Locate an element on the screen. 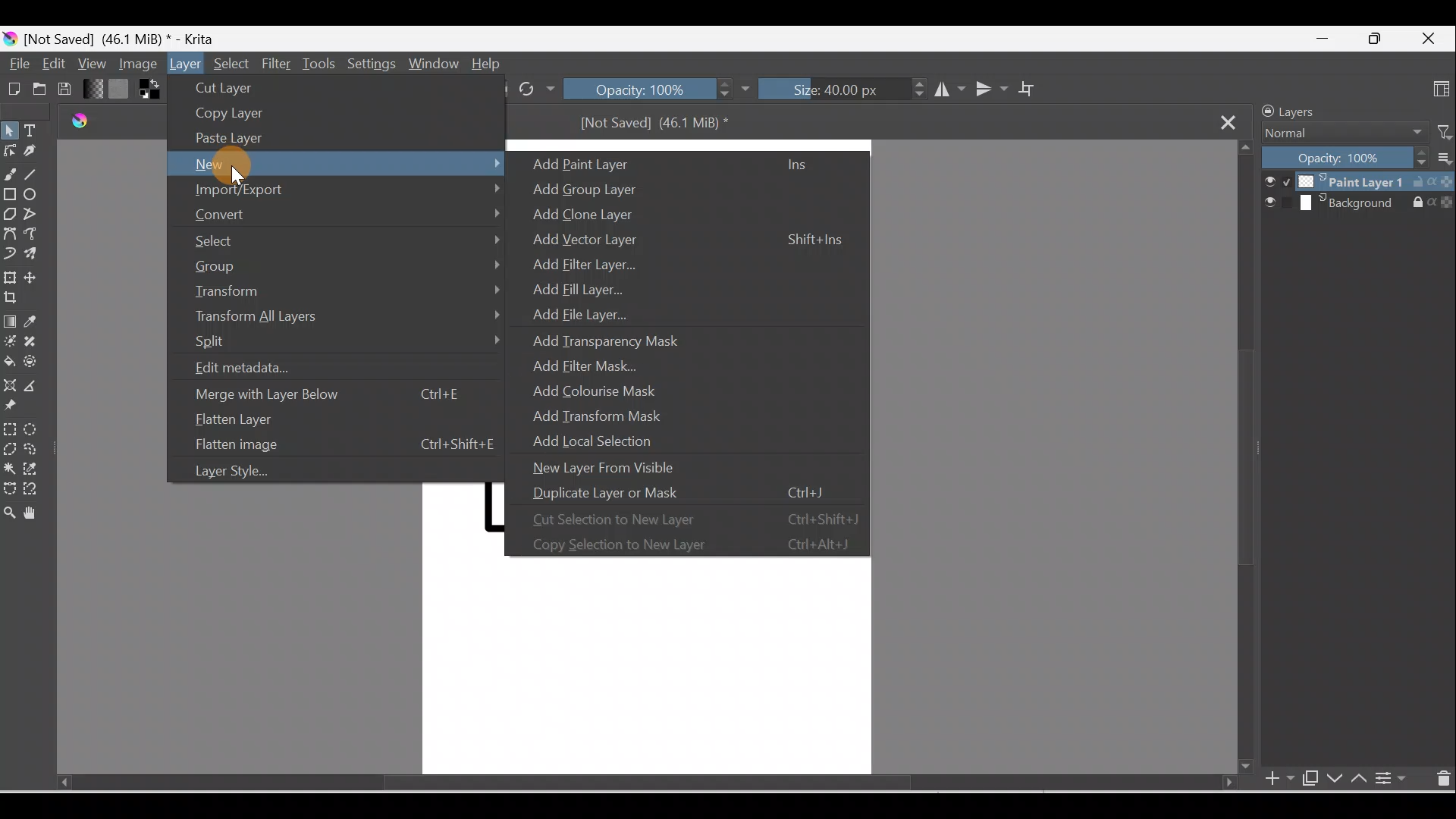 The width and height of the screenshot is (1456, 819). Cut selection to new layer  Ctrl+Shift+J is located at coordinates (689, 516).